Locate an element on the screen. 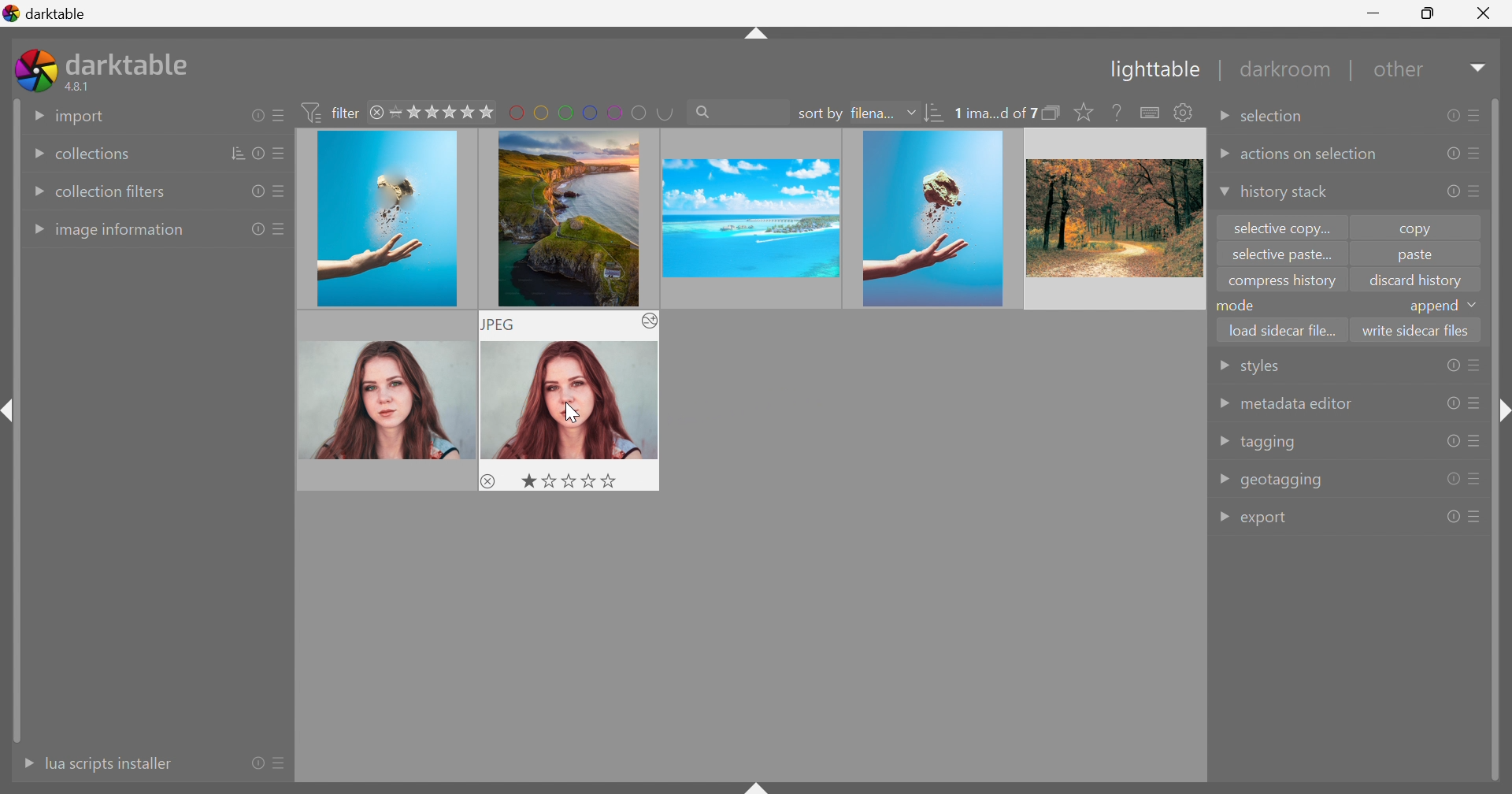  reset is located at coordinates (256, 115).